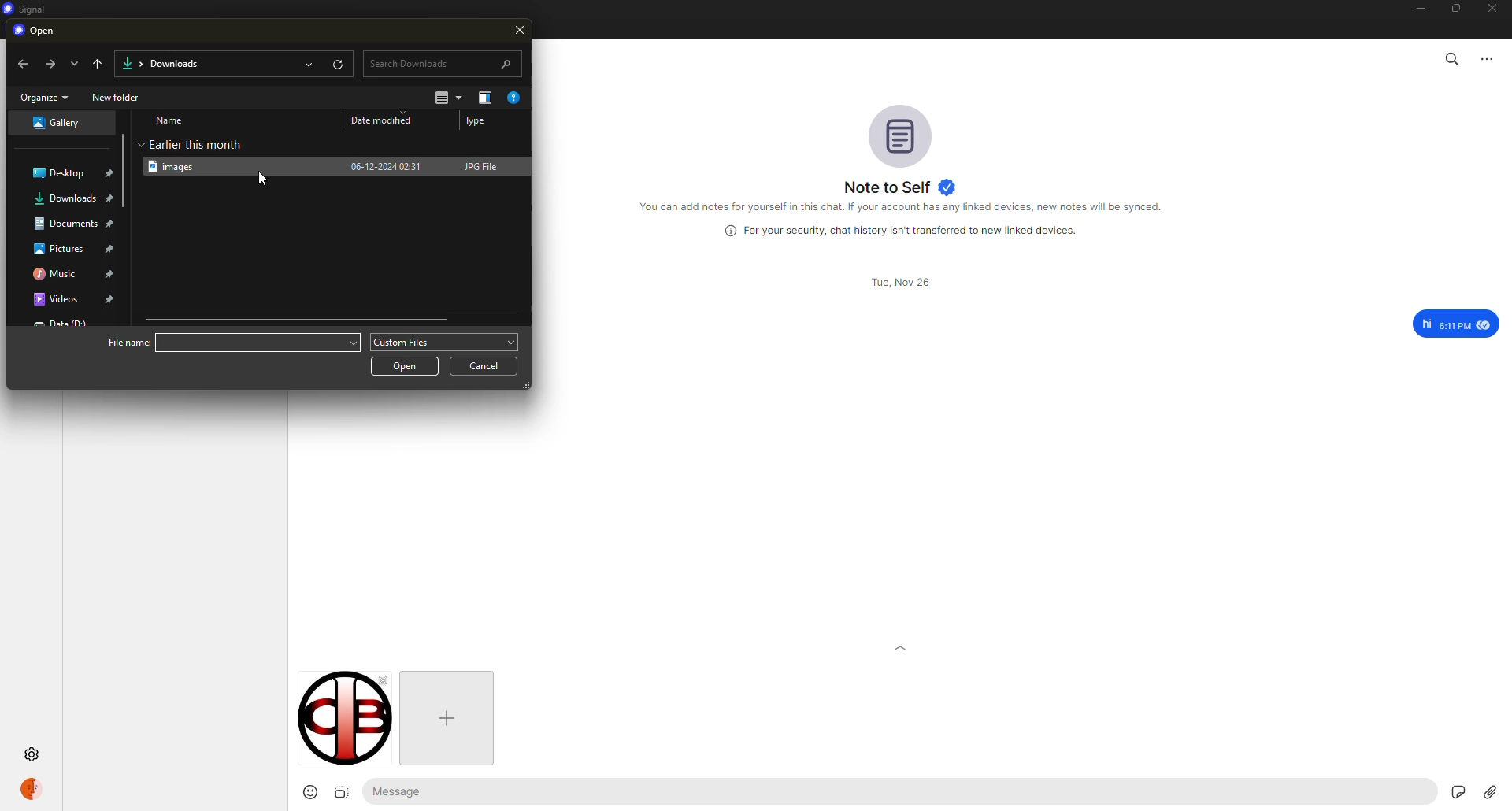  Describe the element at coordinates (73, 63) in the screenshot. I see `down` at that location.